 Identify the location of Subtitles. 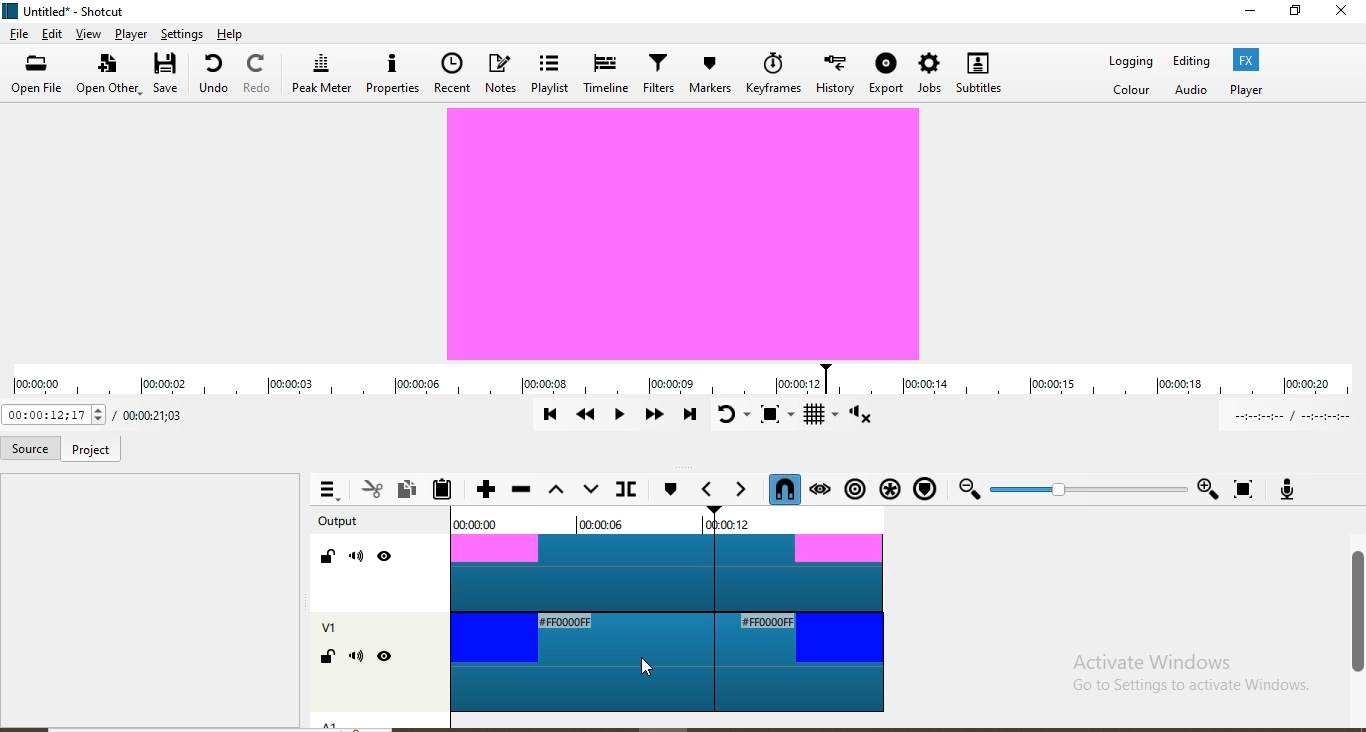
(982, 77).